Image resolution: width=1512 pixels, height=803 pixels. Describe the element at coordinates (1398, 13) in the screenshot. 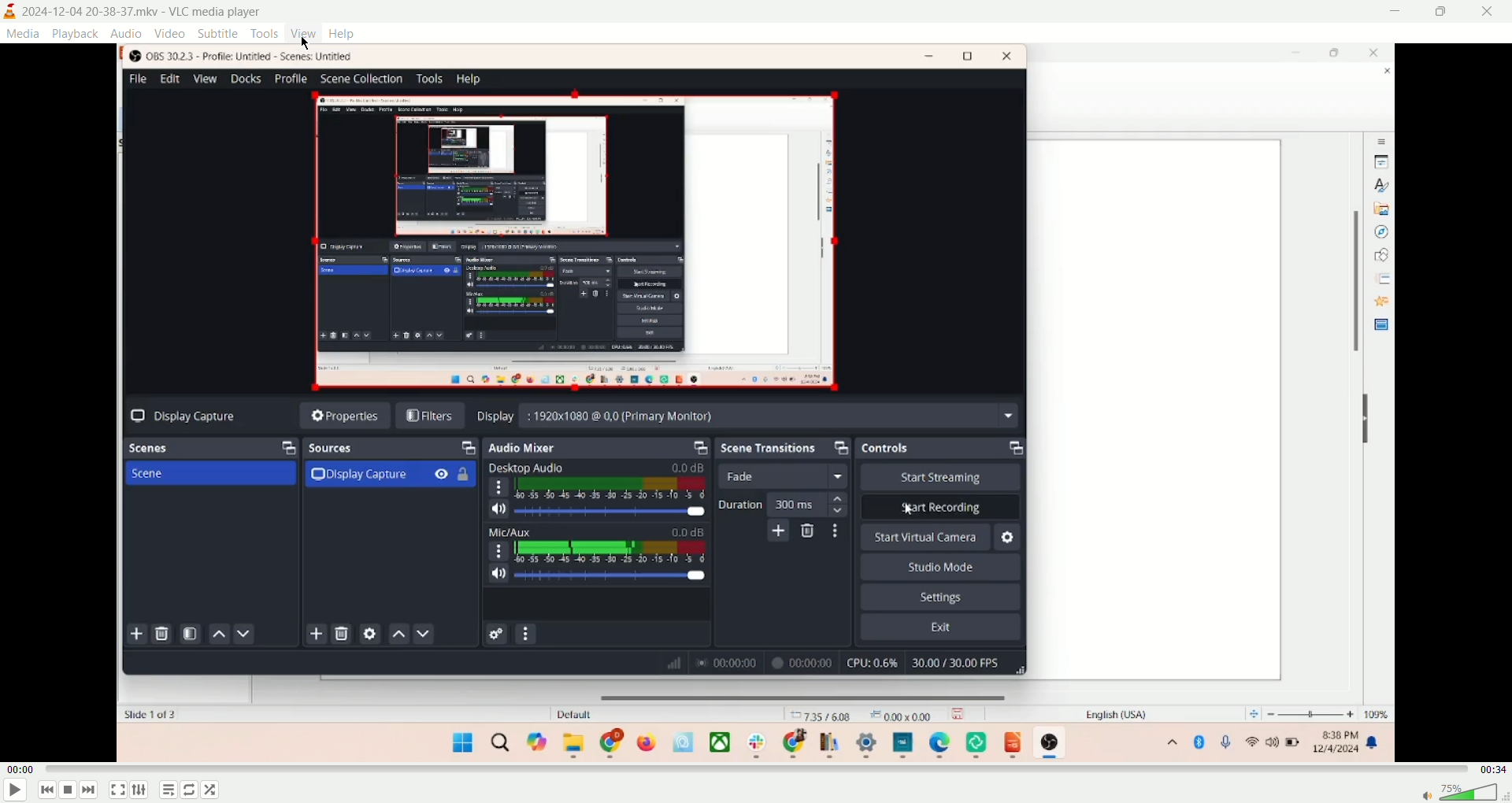

I see `minimize` at that location.